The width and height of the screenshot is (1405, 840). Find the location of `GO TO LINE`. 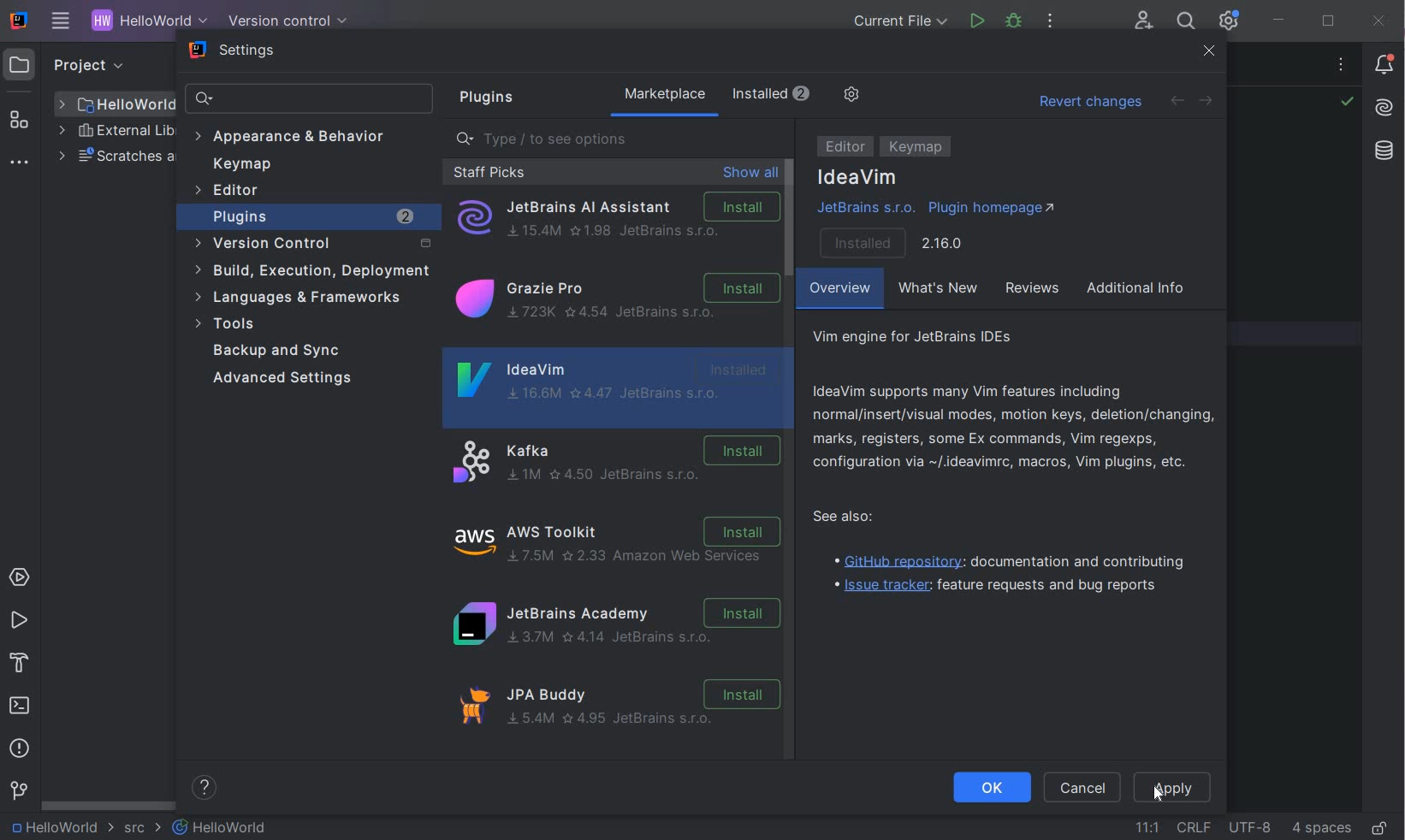

GO TO LINE is located at coordinates (1147, 825).